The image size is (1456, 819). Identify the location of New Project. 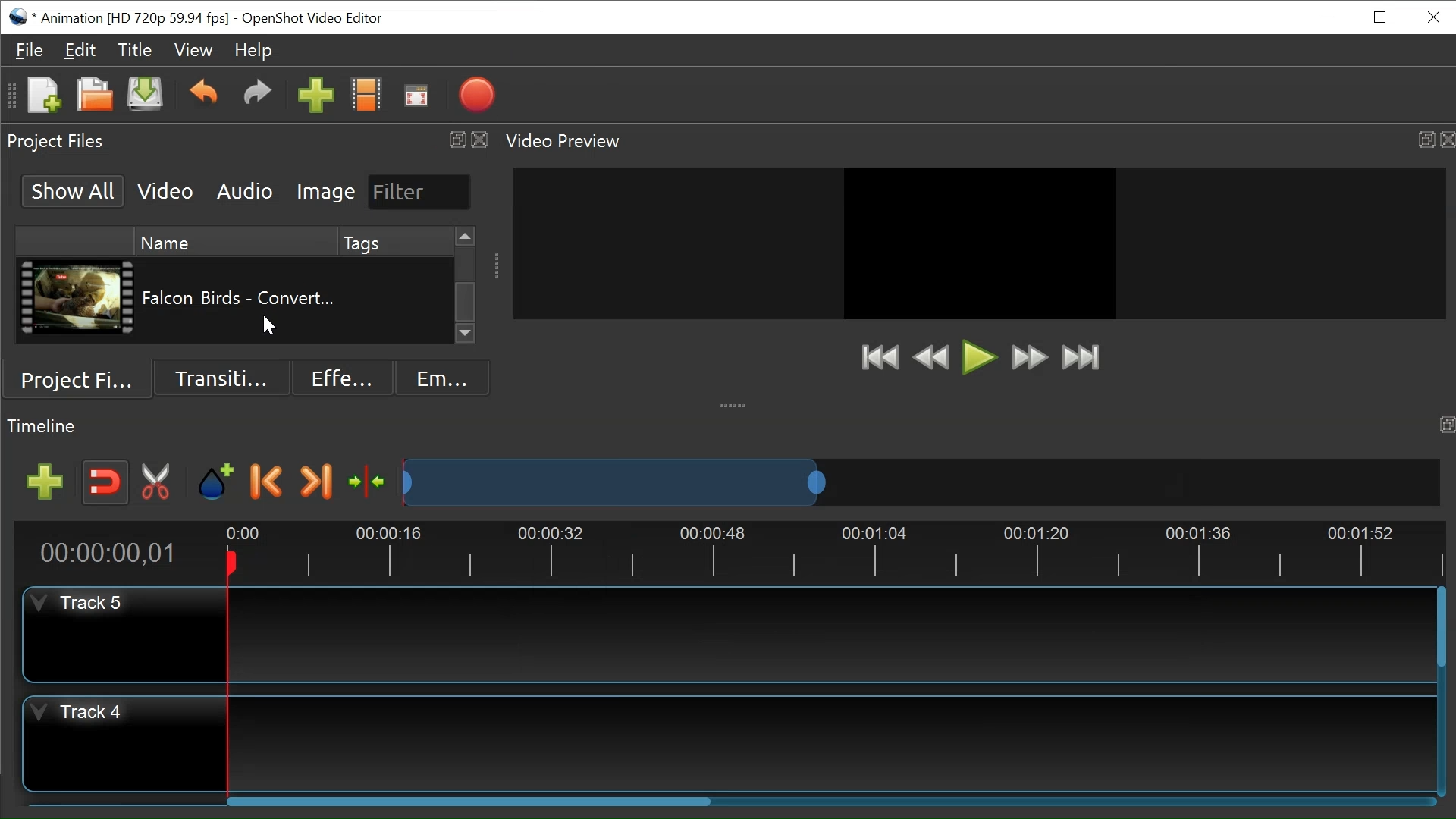
(43, 96).